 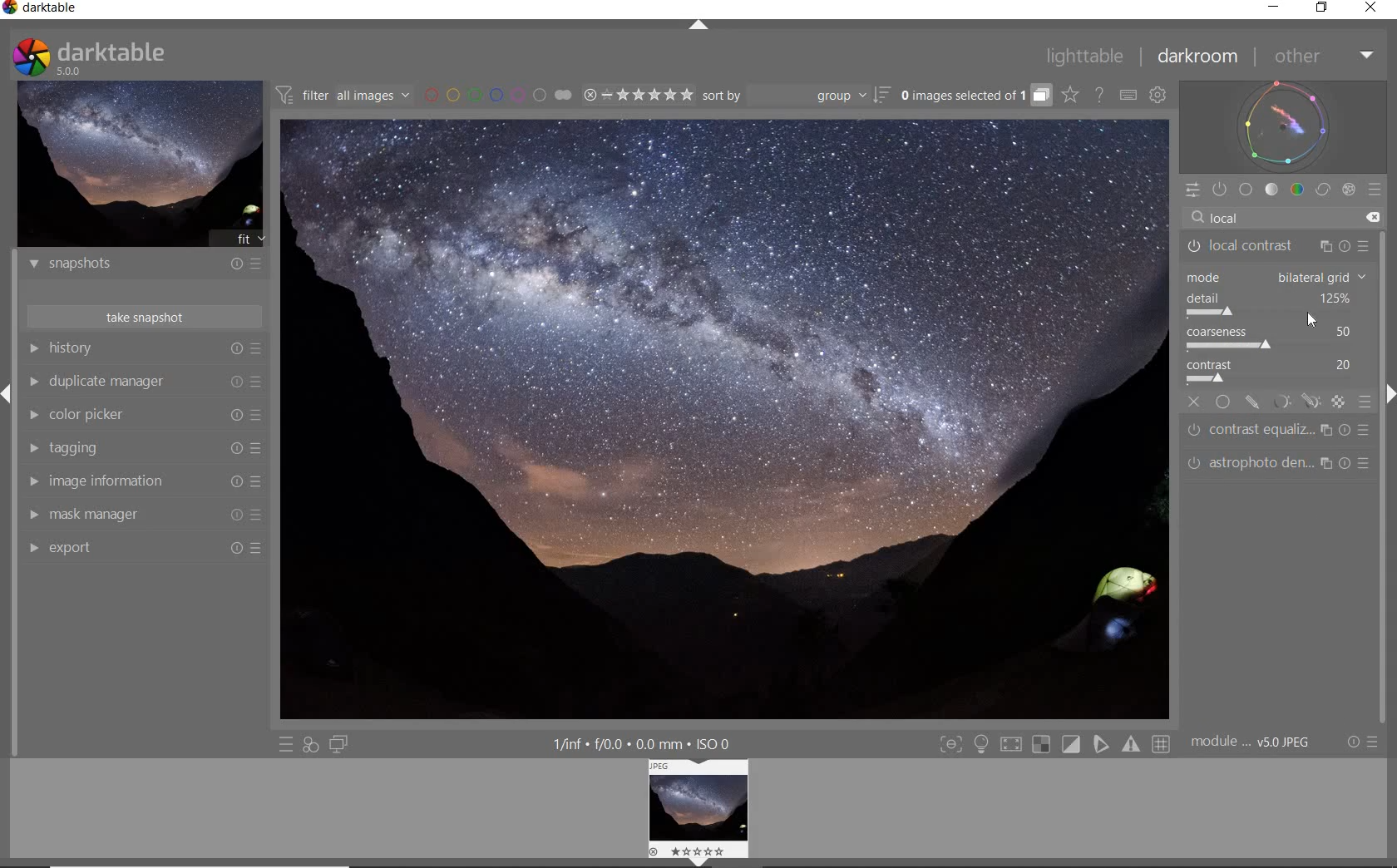 What do you see at coordinates (259, 514) in the screenshot?
I see `Presets and preferences` at bounding box center [259, 514].